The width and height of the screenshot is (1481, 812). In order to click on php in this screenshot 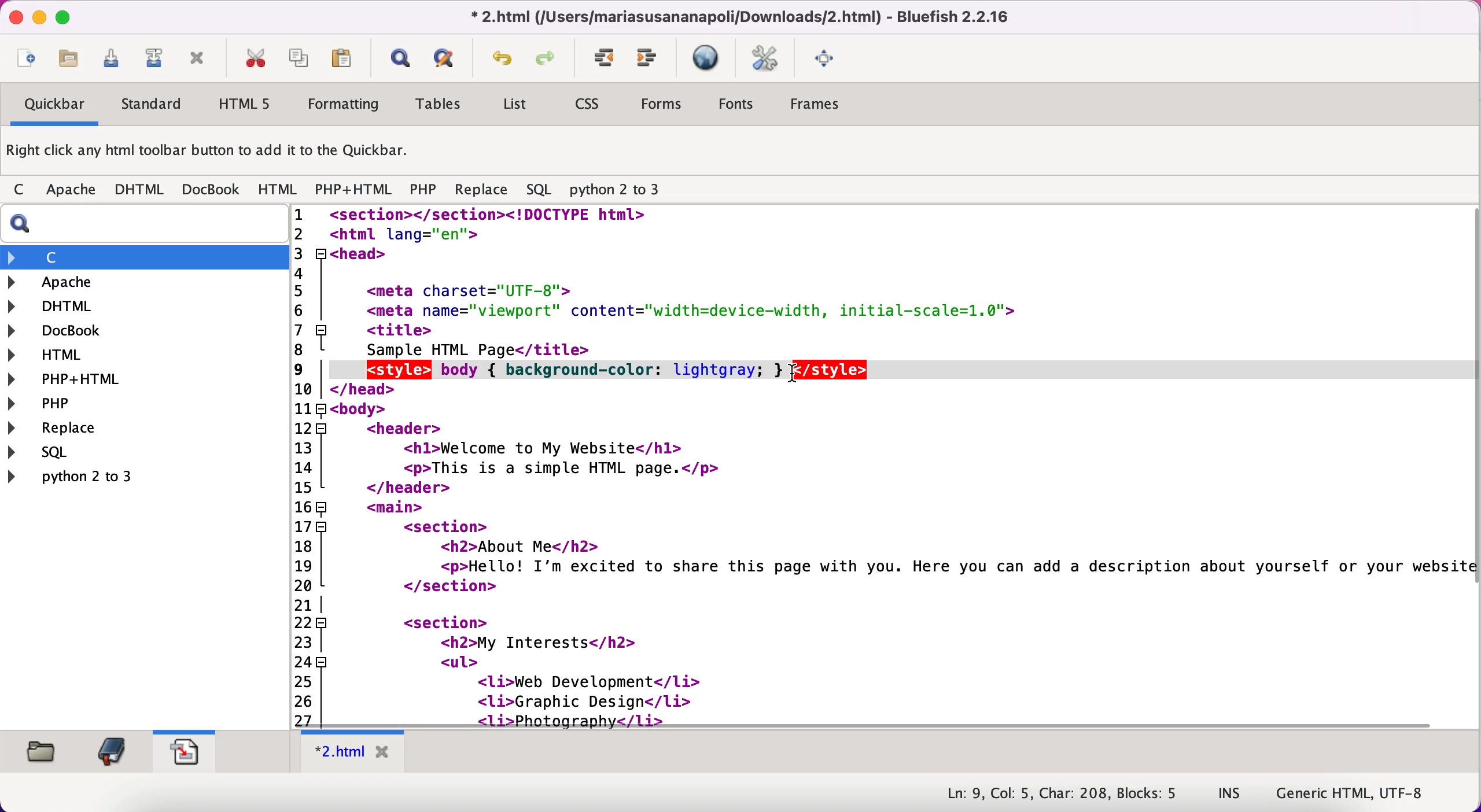, I will do `click(72, 403)`.